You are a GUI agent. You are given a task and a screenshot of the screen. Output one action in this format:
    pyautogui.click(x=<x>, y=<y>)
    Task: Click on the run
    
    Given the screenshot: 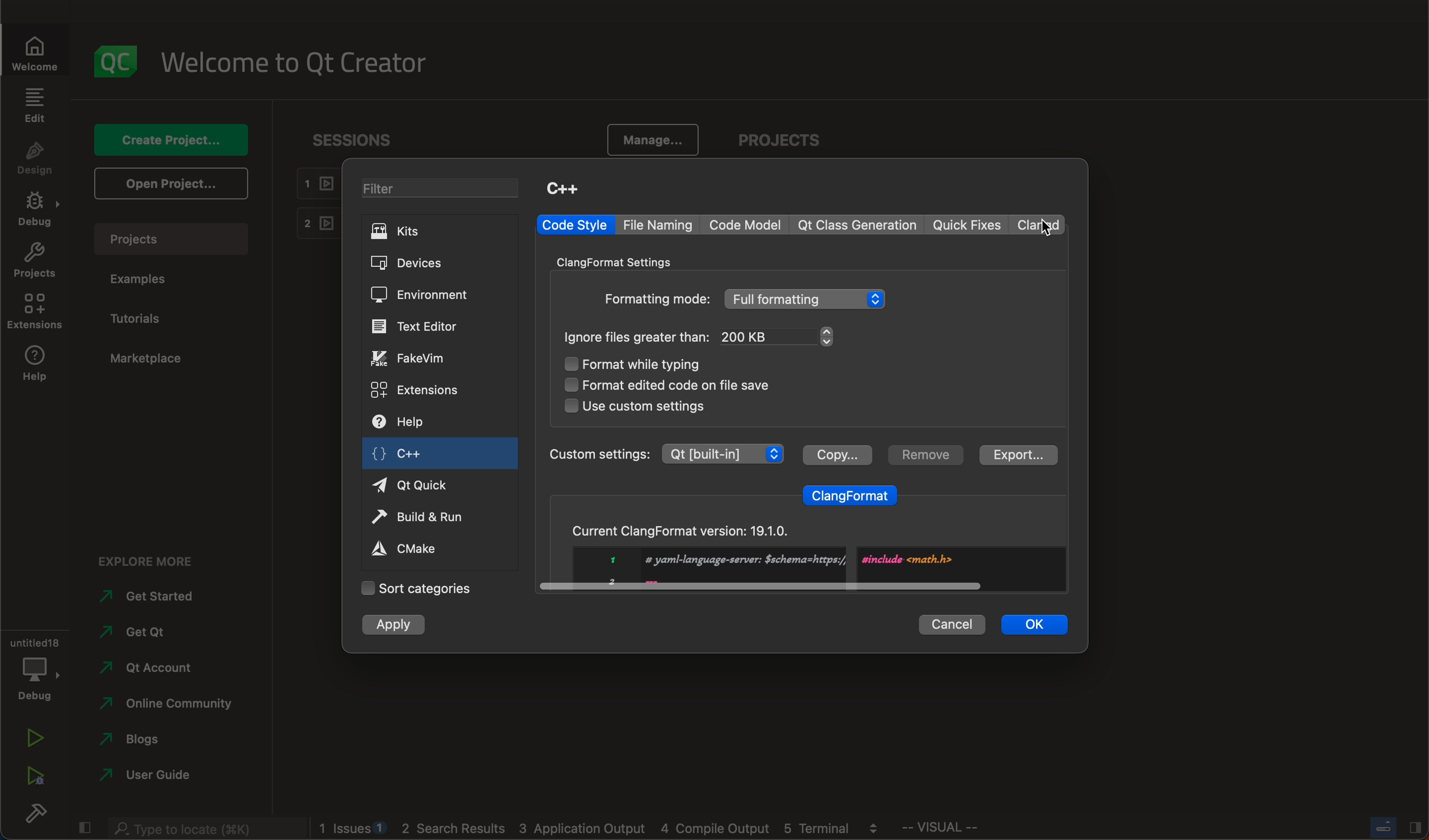 What is the action you would take?
    pyautogui.click(x=35, y=737)
    